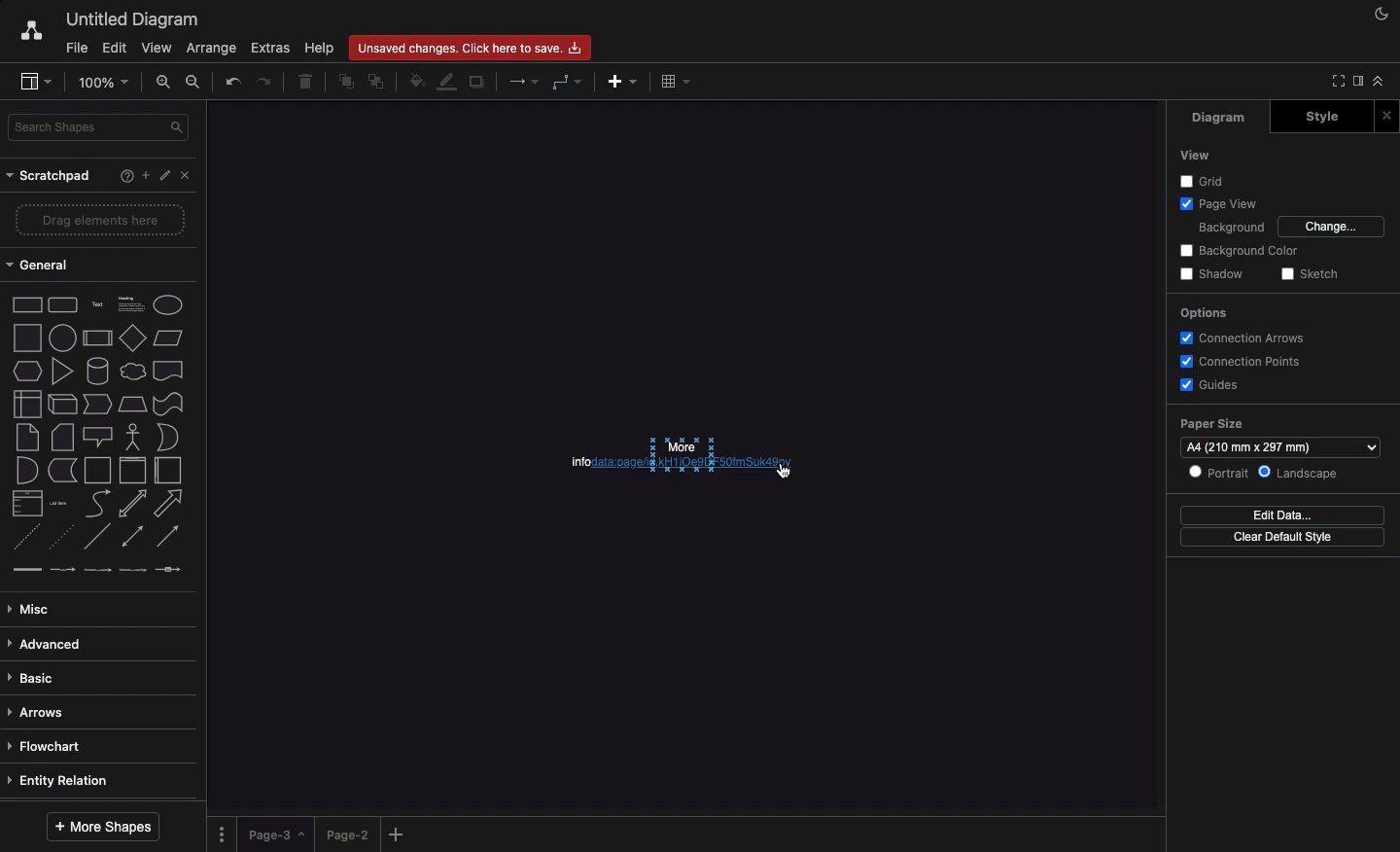 Image resolution: width=1400 pixels, height=852 pixels. What do you see at coordinates (26, 569) in the screenshot?
I see `link` at bounding box center [26, 569].